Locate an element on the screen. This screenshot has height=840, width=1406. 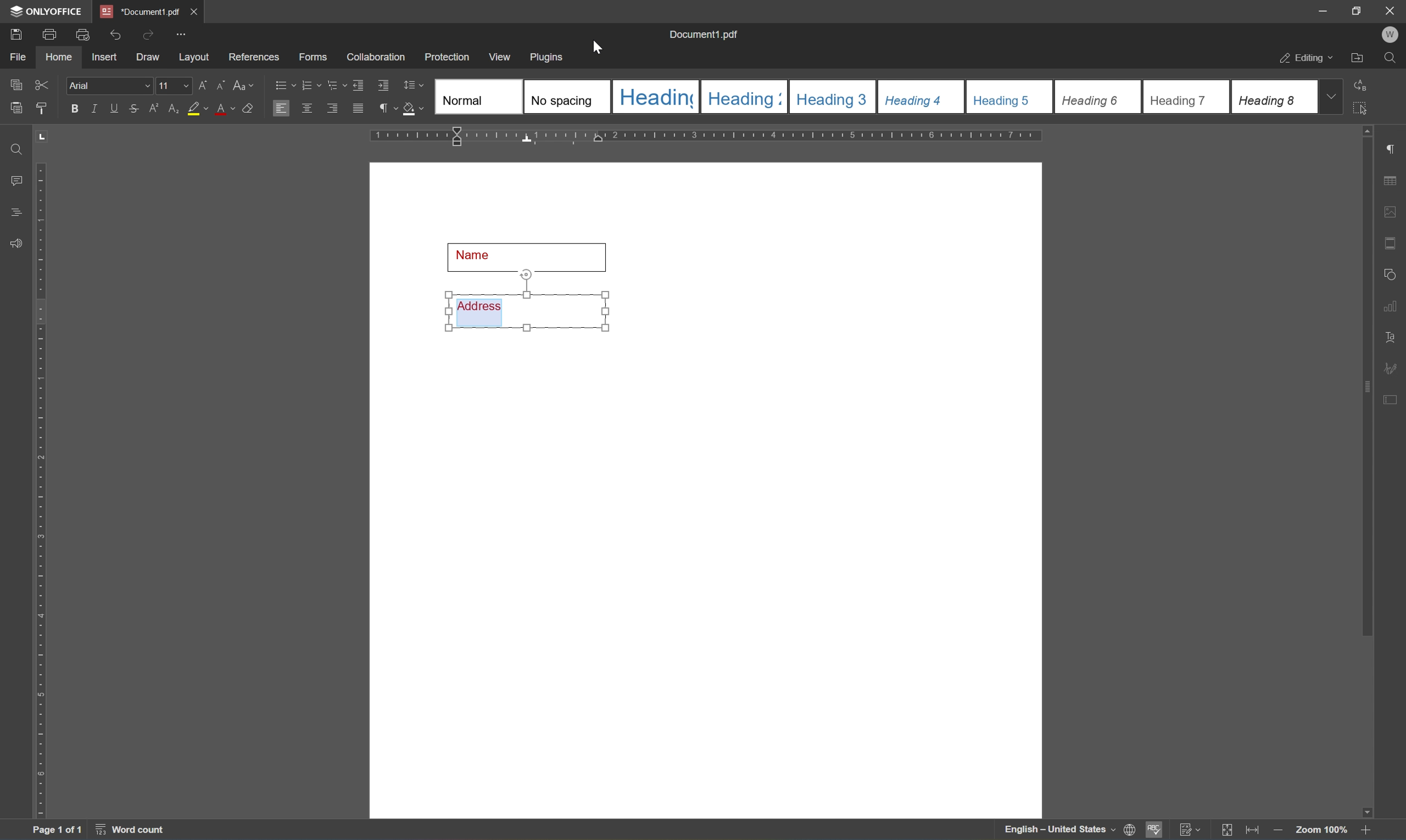
justified is located at coordinates (358, 108).